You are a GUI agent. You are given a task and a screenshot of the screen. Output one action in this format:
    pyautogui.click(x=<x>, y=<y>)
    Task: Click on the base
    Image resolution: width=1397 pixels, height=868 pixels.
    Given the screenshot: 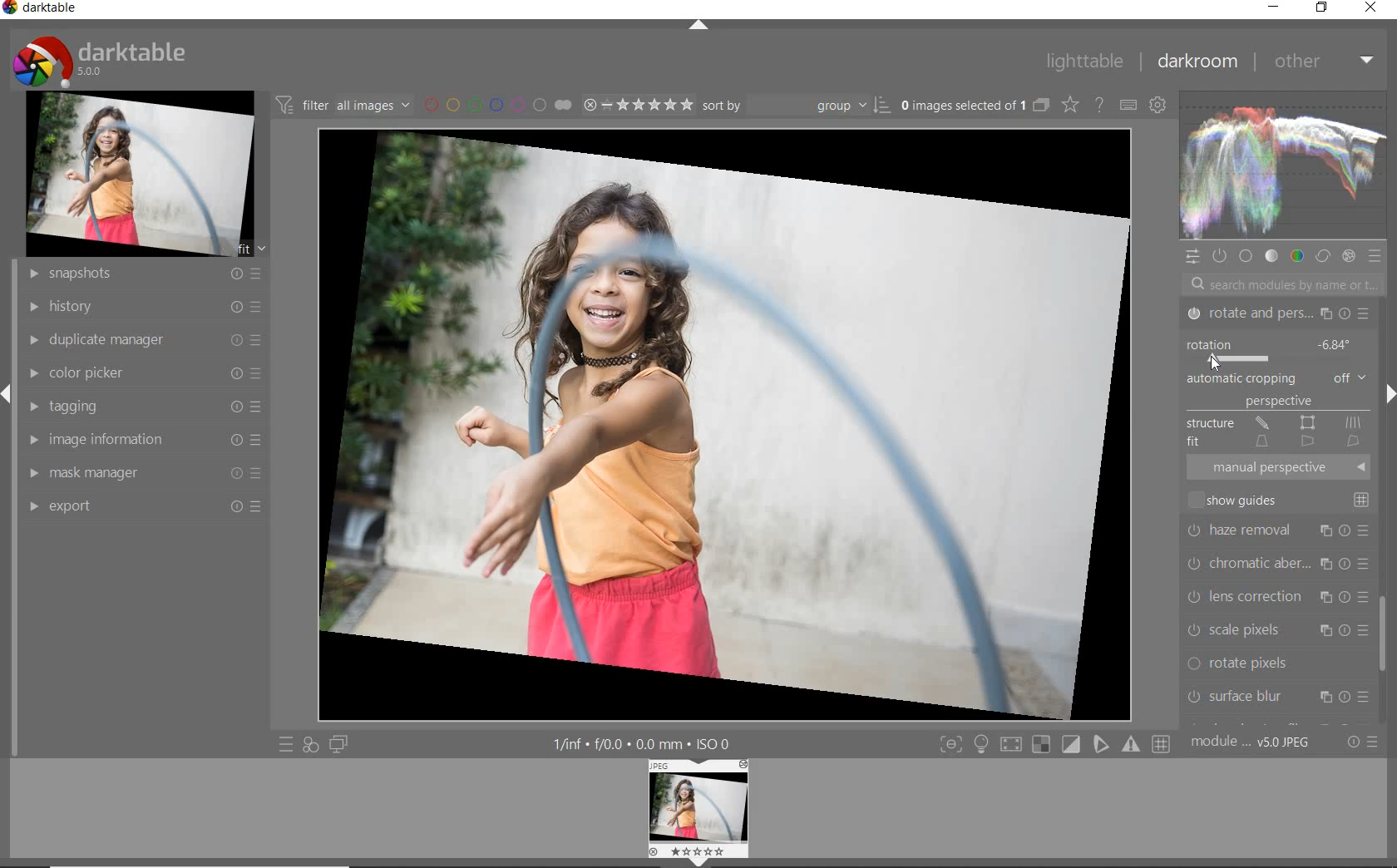 What is the action you would take?
    pyautogui.click(x=1246, y=257)
    